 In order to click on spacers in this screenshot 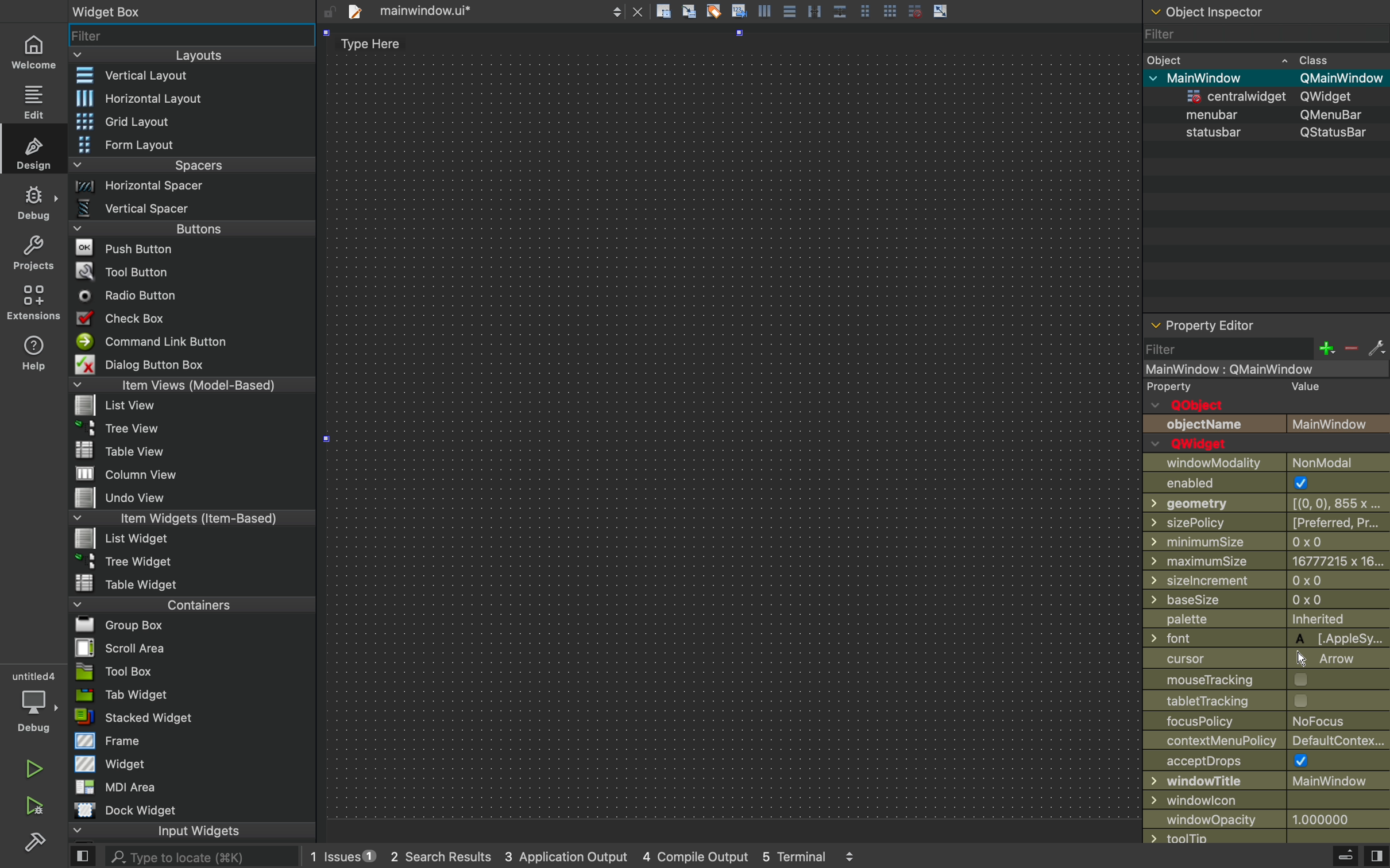, I will do `click(189, 164)`.